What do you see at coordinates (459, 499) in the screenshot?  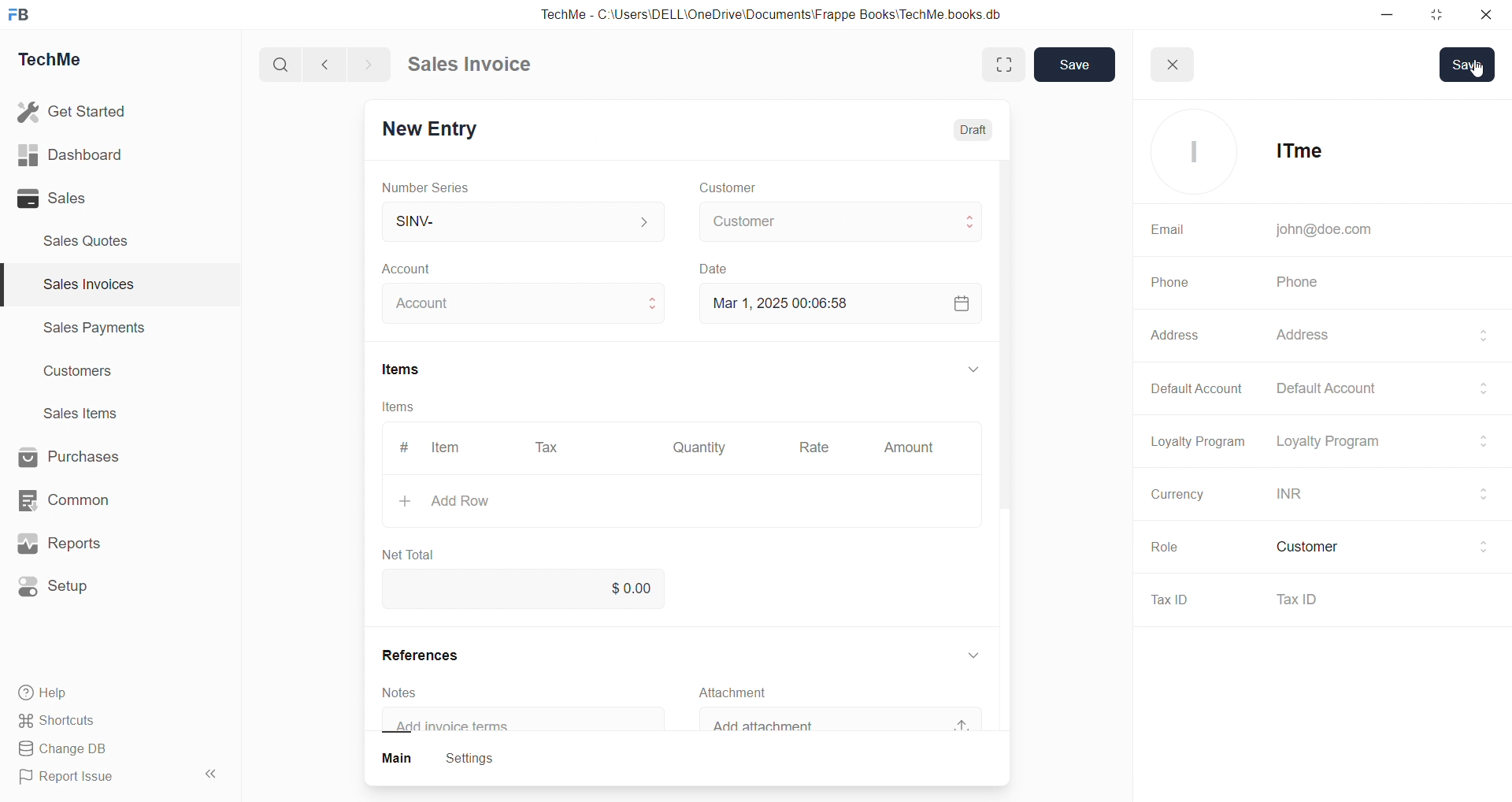 I see `+ Add Row` at bounding box center [459, 499].